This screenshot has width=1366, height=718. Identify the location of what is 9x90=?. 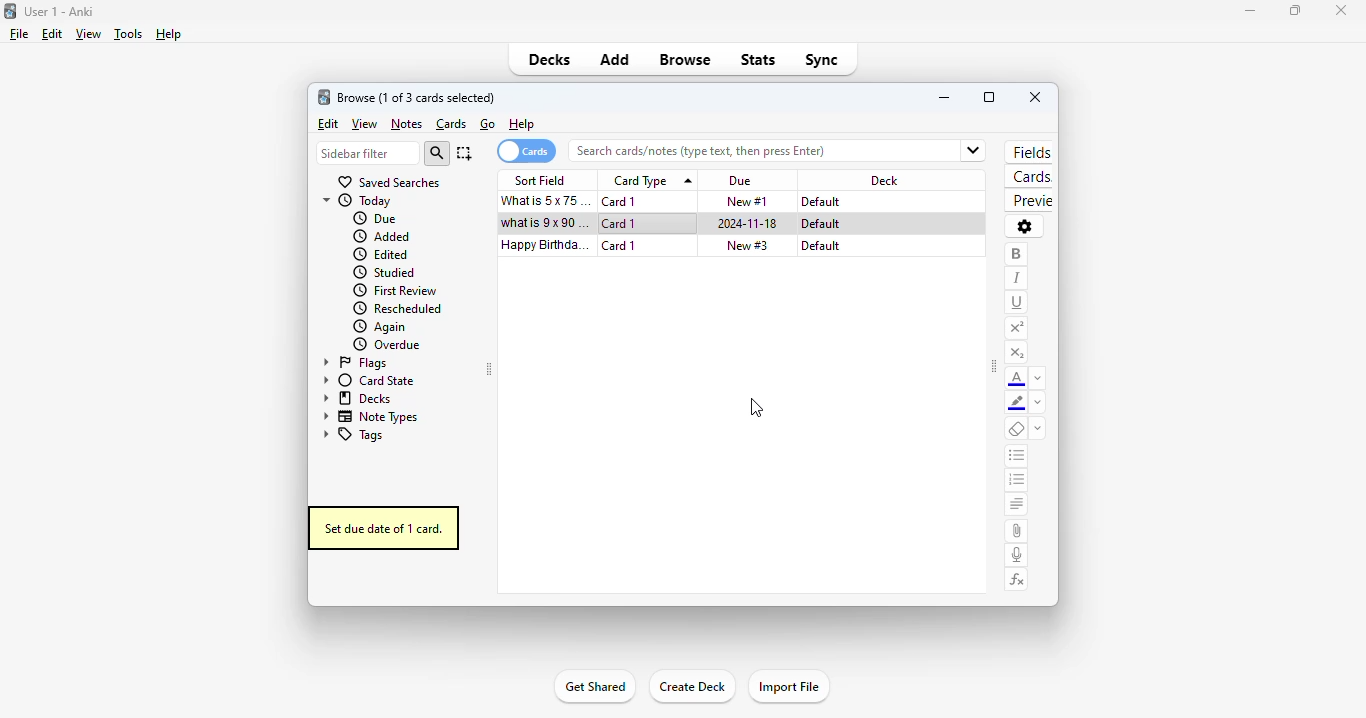
(544, 222).